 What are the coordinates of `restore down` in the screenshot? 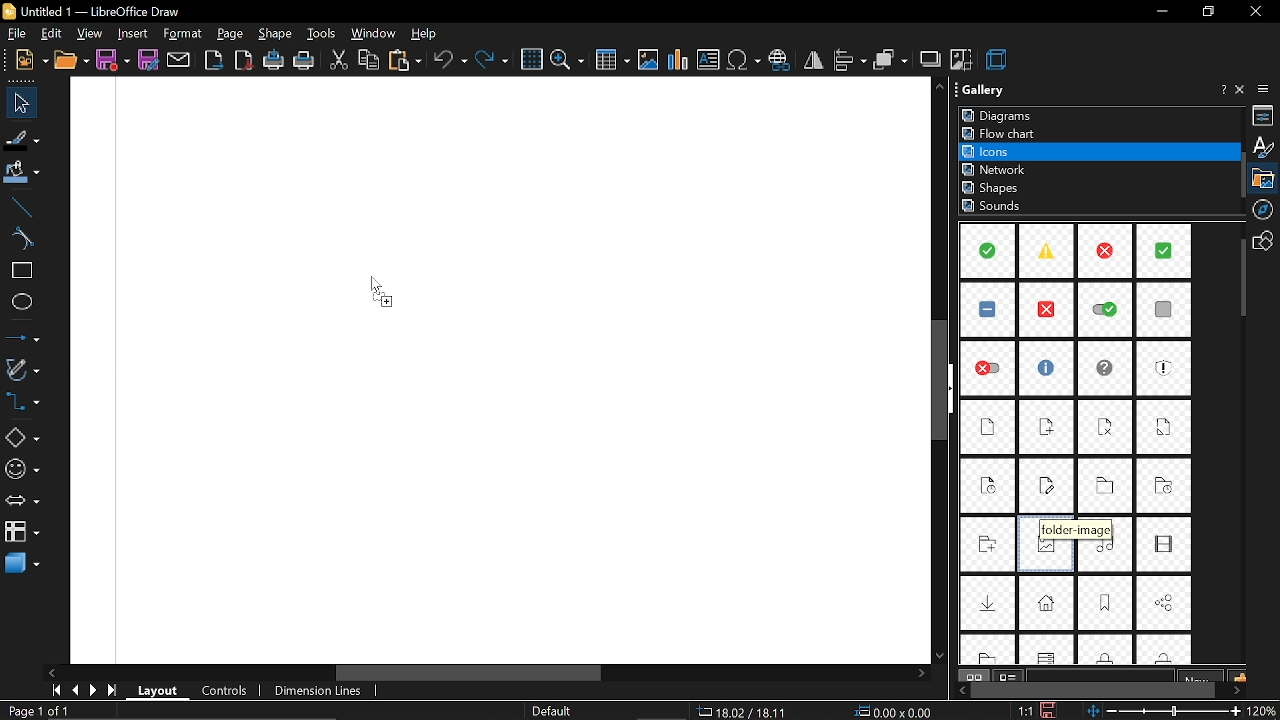 It's located at (1206, 12).